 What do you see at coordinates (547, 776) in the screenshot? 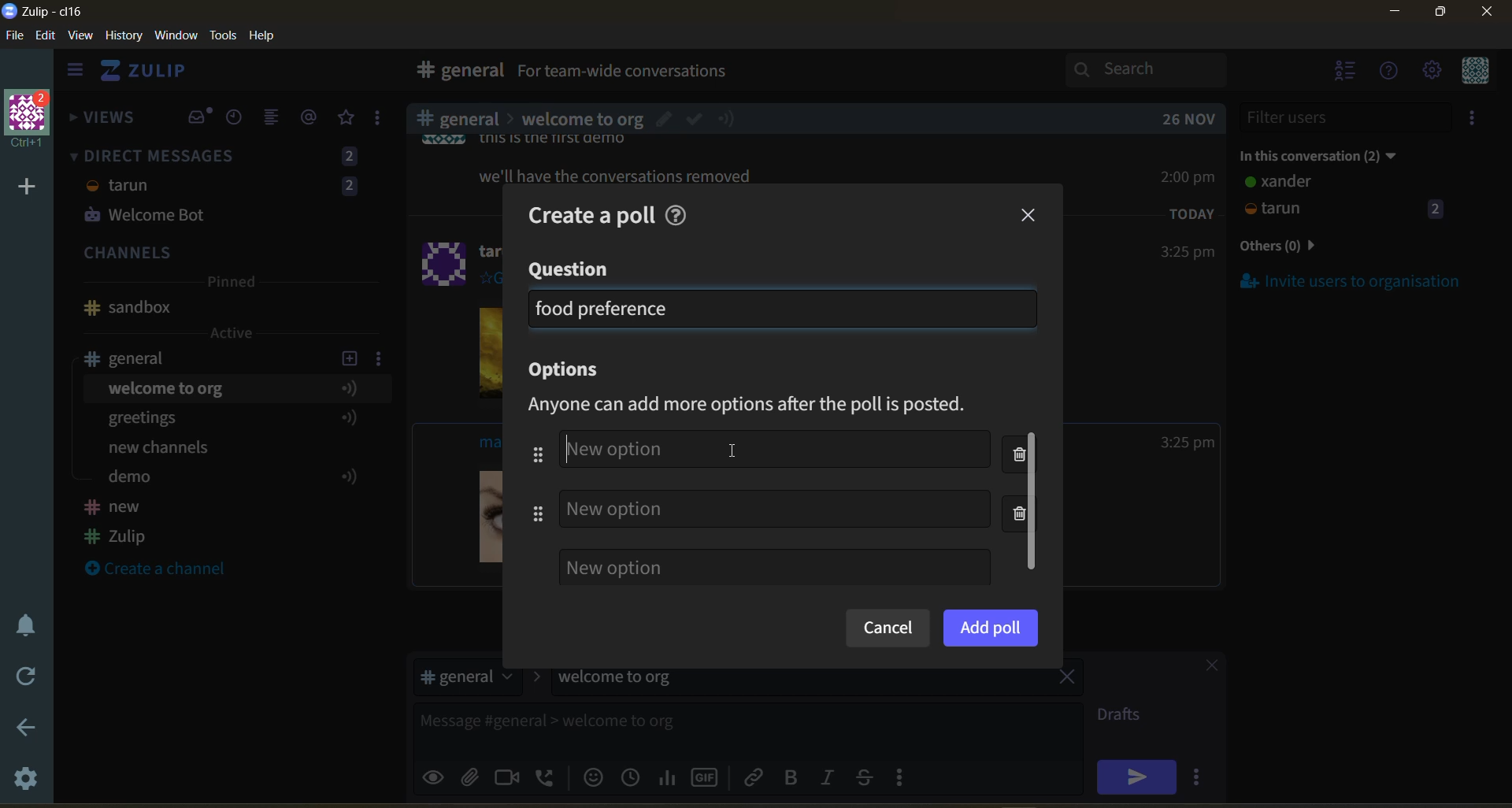
I see `add voice call` at bounding box center [547, 776].